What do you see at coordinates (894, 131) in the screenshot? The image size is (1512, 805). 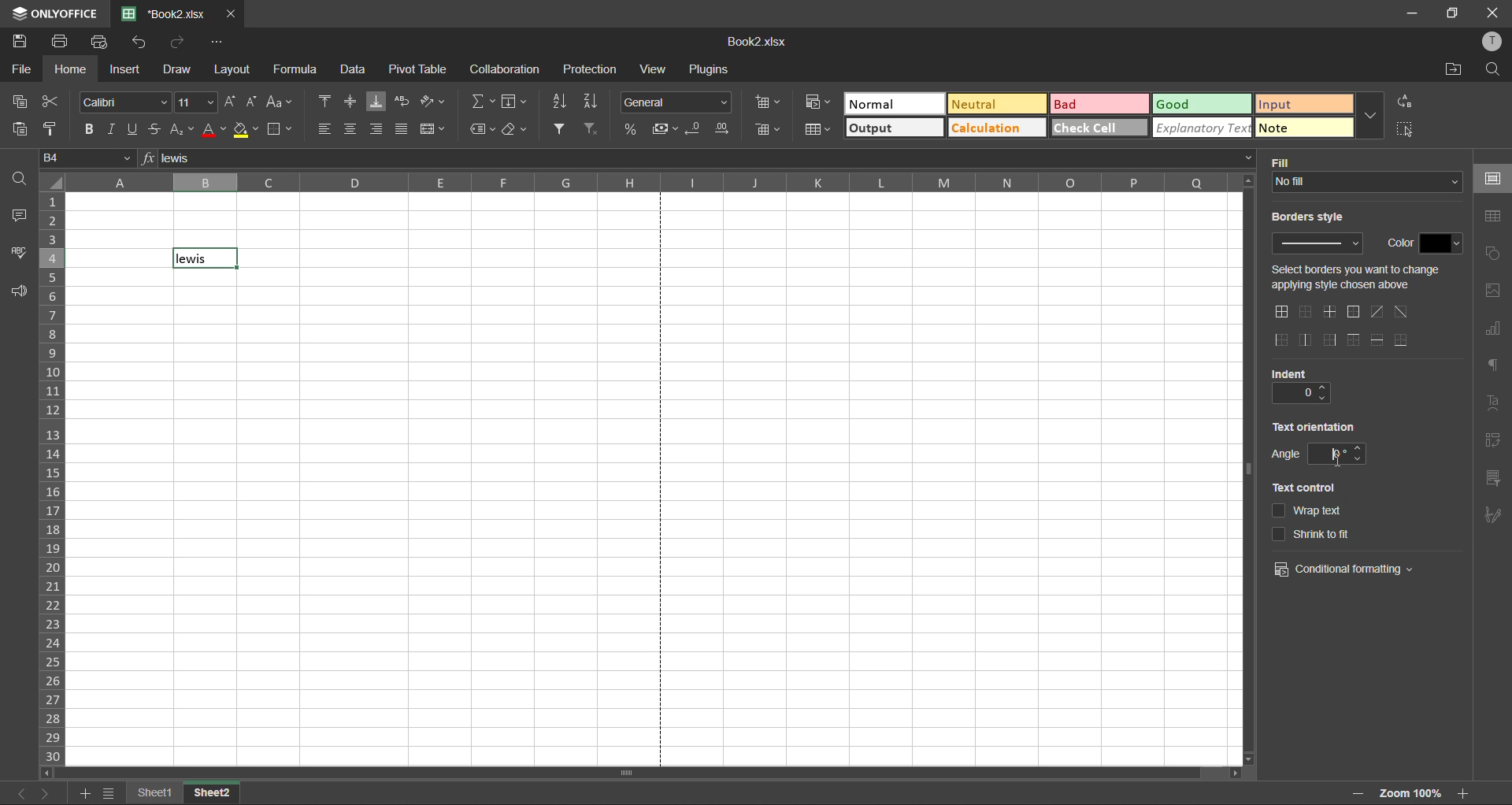 I see `output` at bounding box center [894, 131].